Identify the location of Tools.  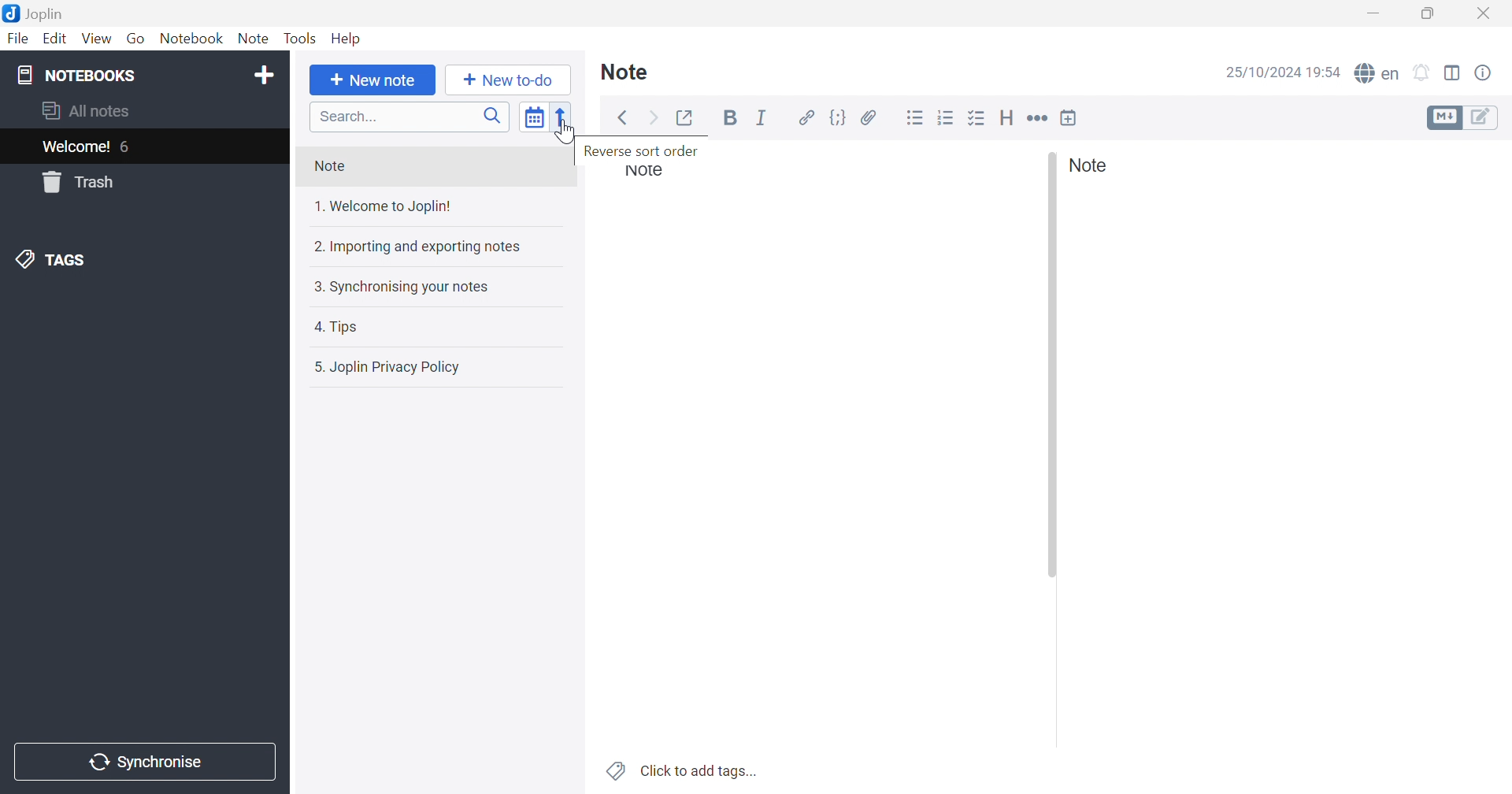
(300, 39).